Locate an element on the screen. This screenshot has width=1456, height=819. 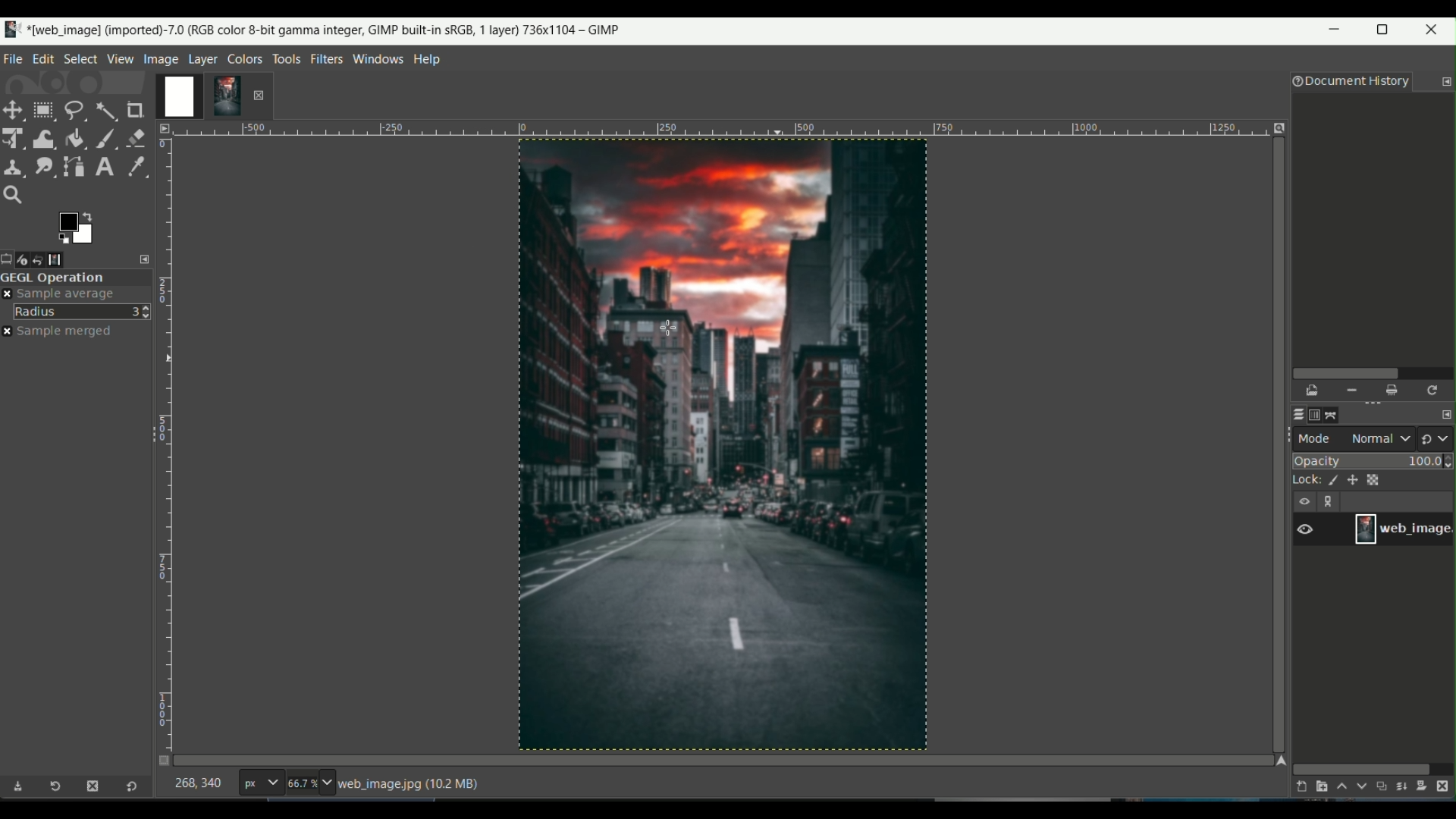
clear the entire document history is located at coordinates (1393, 391).